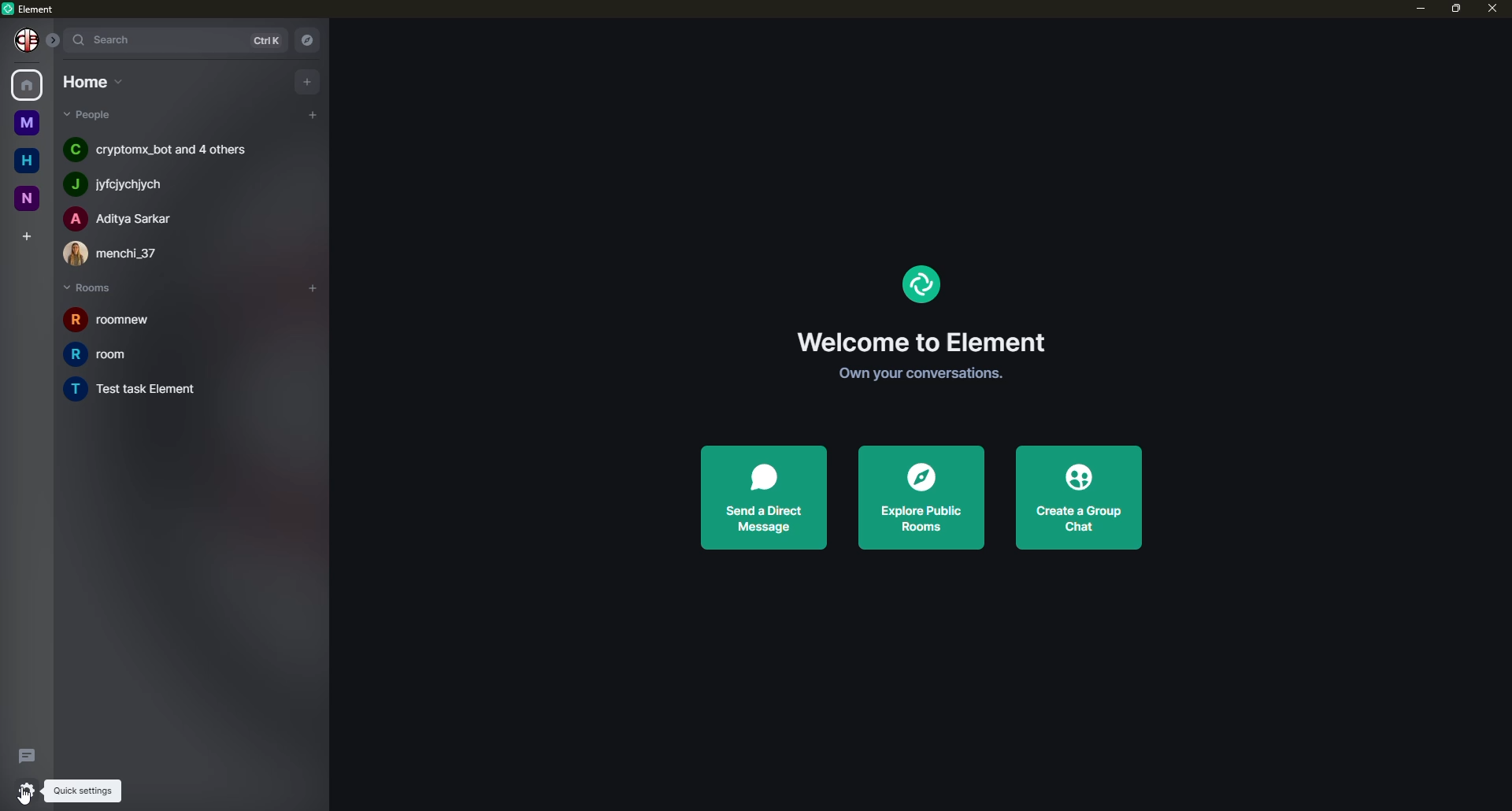 This screenshot has height=811, width=1512. Describe the element at coordinates (125, 252) in the screenshot. I see `people` at that location.